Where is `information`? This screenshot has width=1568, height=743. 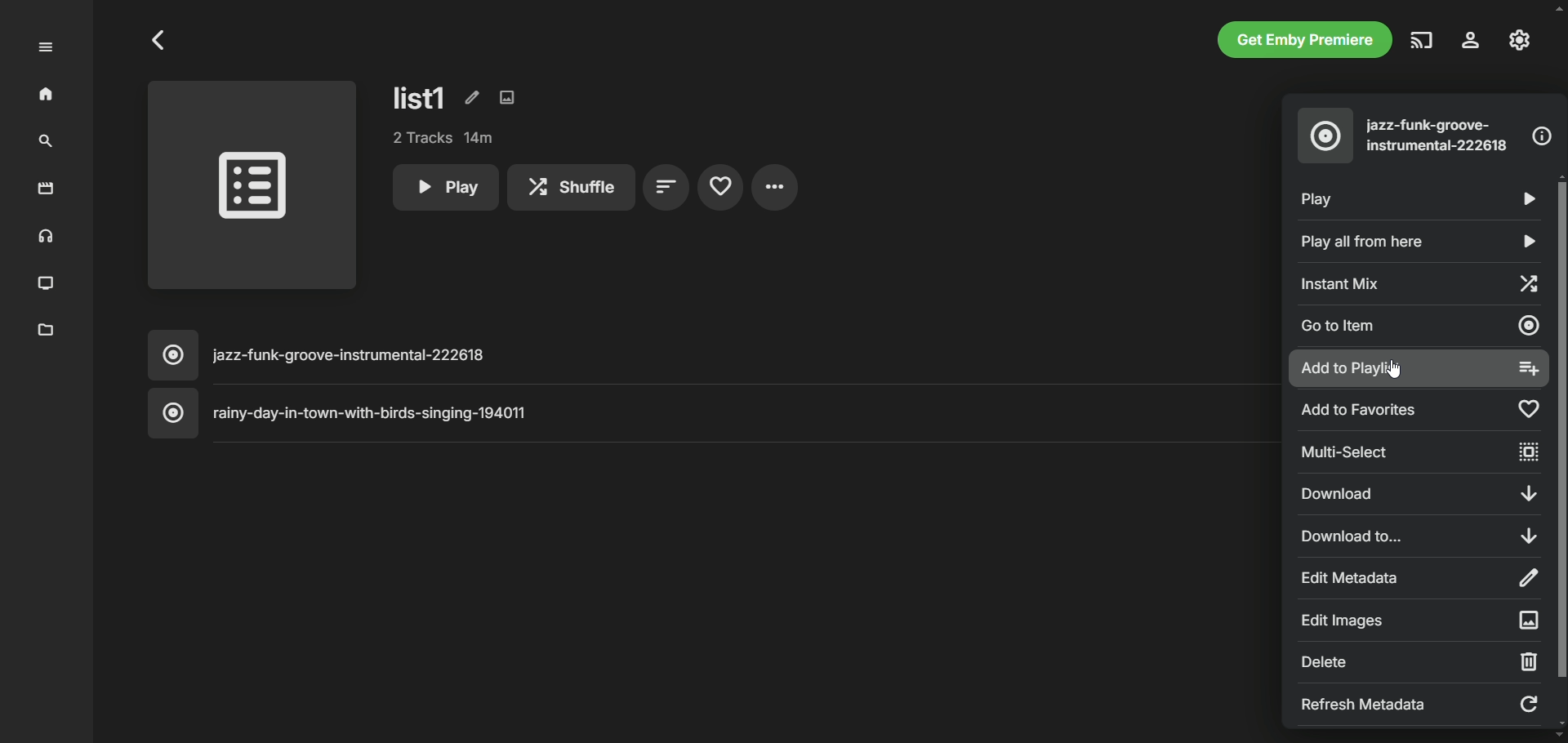 information is located at coordinates (1542, 136).